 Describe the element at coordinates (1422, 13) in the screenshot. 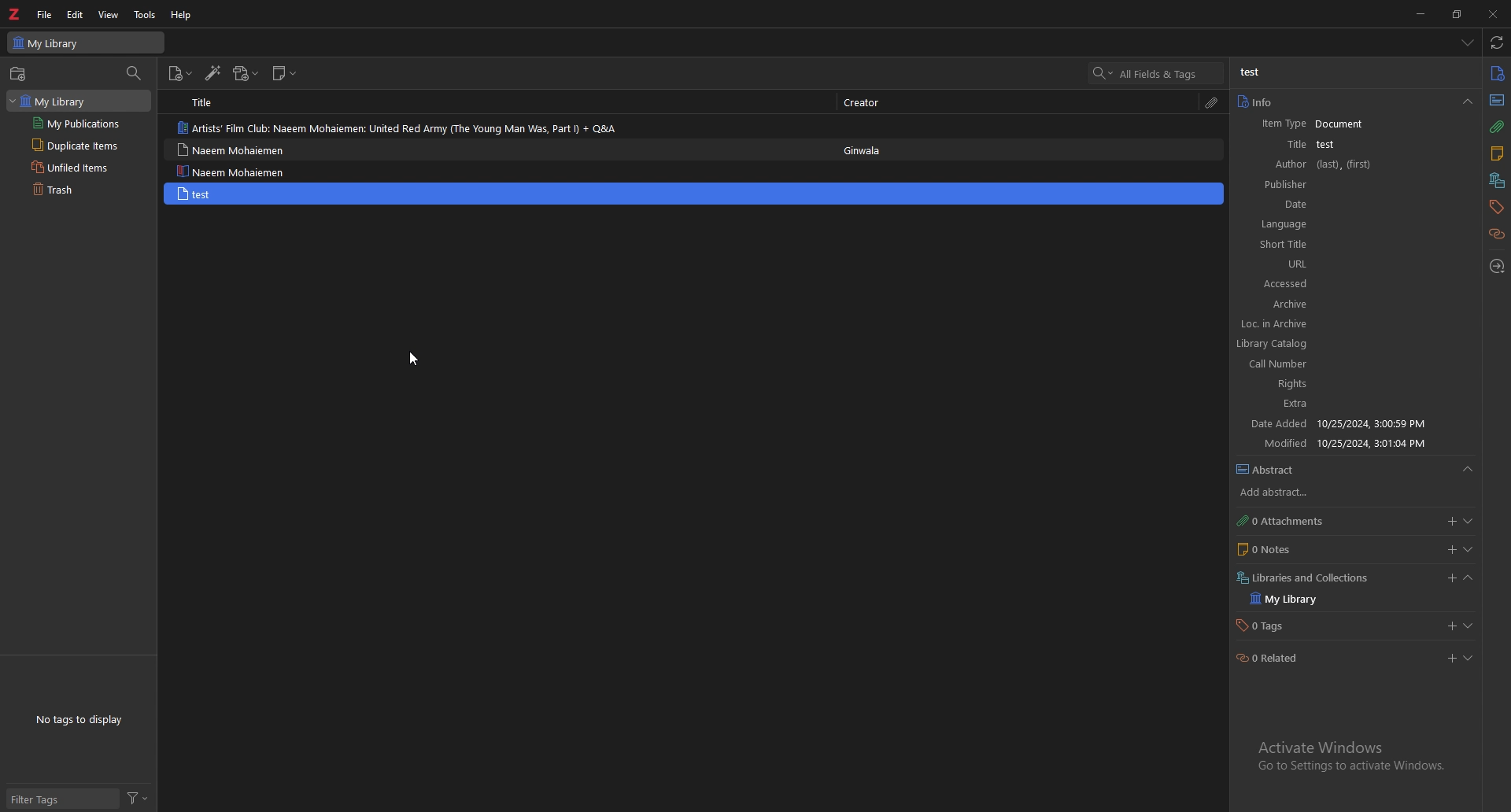

I see `minimize` at that location.